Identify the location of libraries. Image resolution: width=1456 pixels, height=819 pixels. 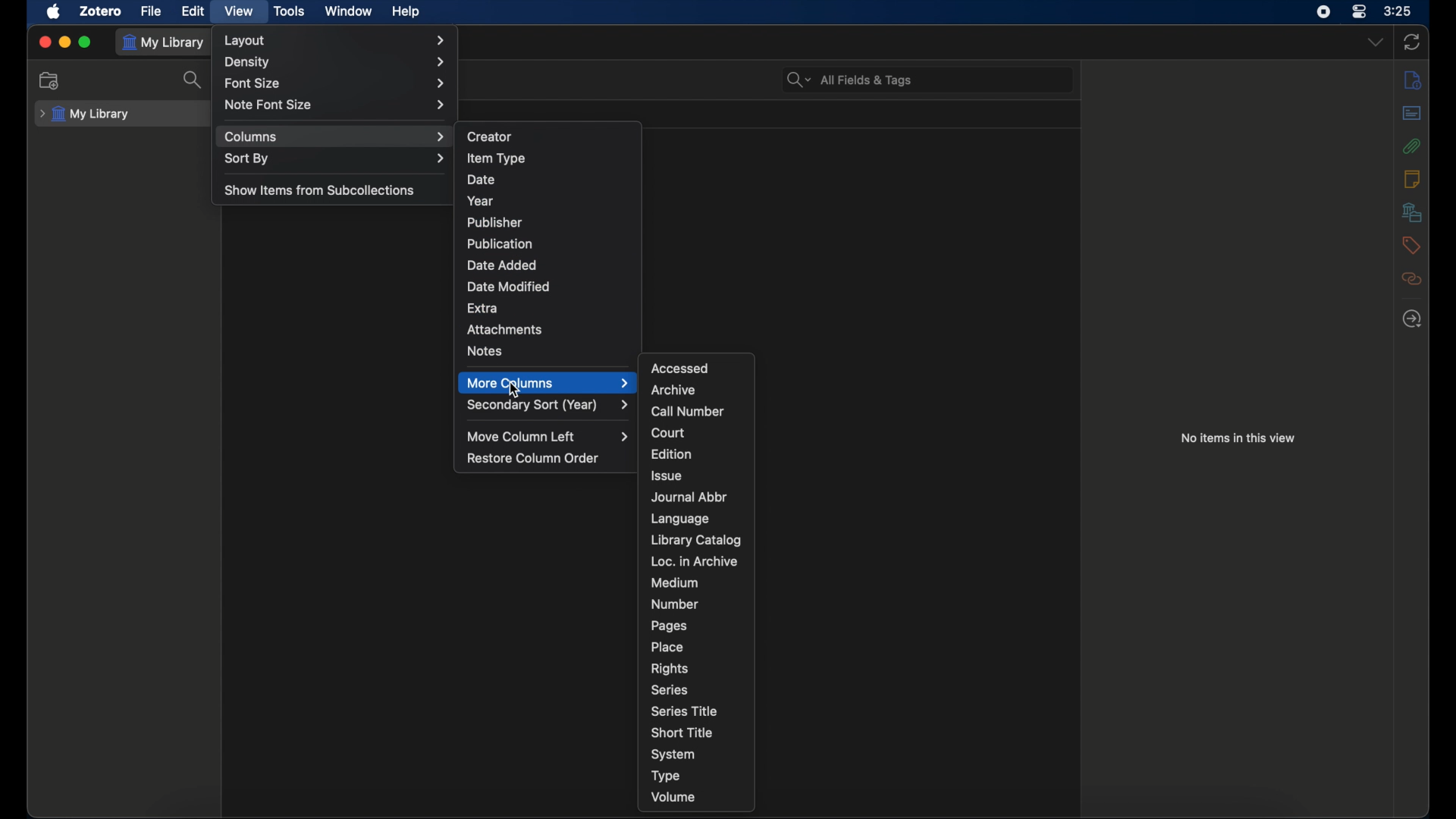
(1411, 212).